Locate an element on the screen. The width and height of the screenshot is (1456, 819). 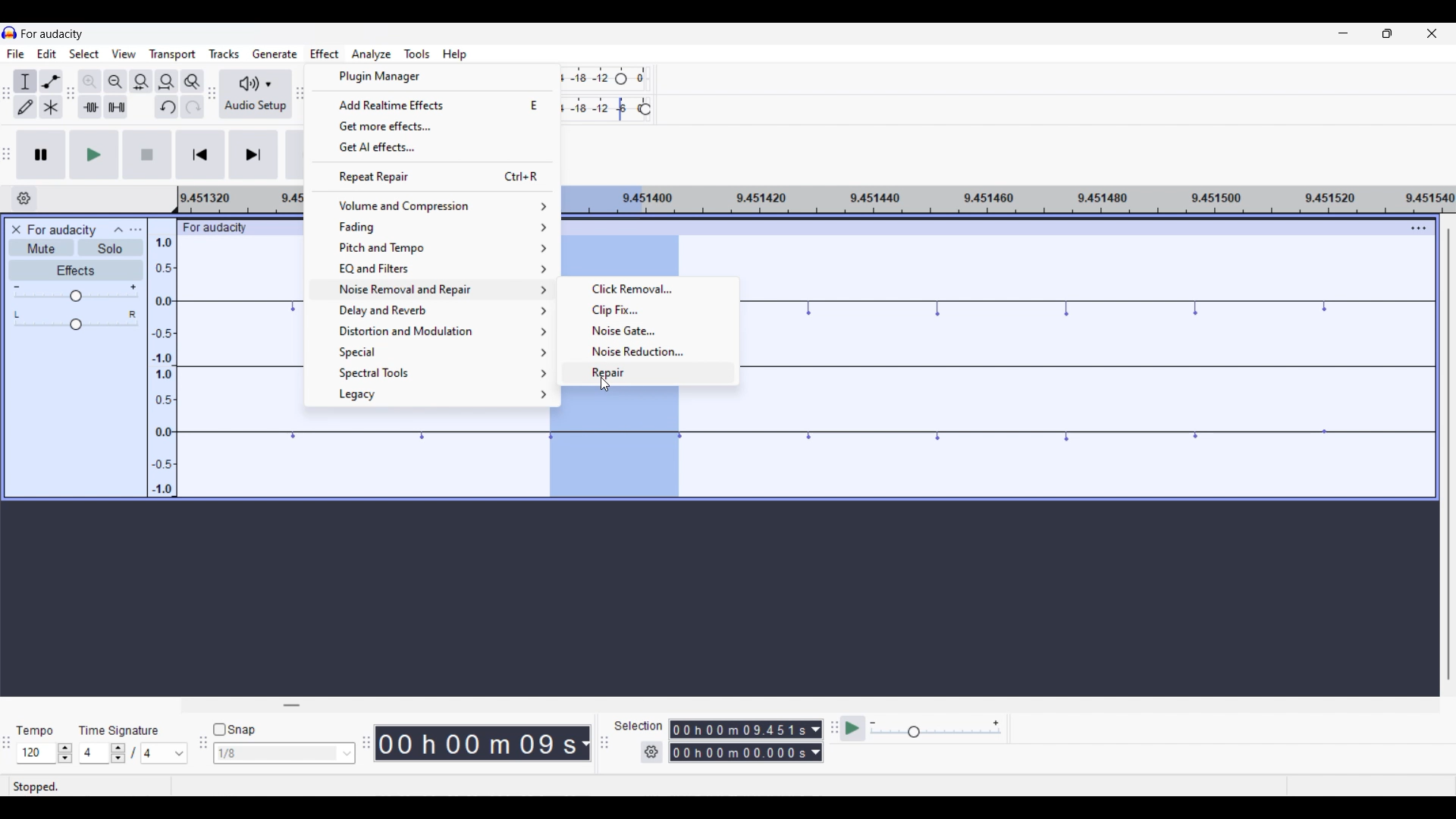
Spectral tool options is located at coordinates (433, 374).